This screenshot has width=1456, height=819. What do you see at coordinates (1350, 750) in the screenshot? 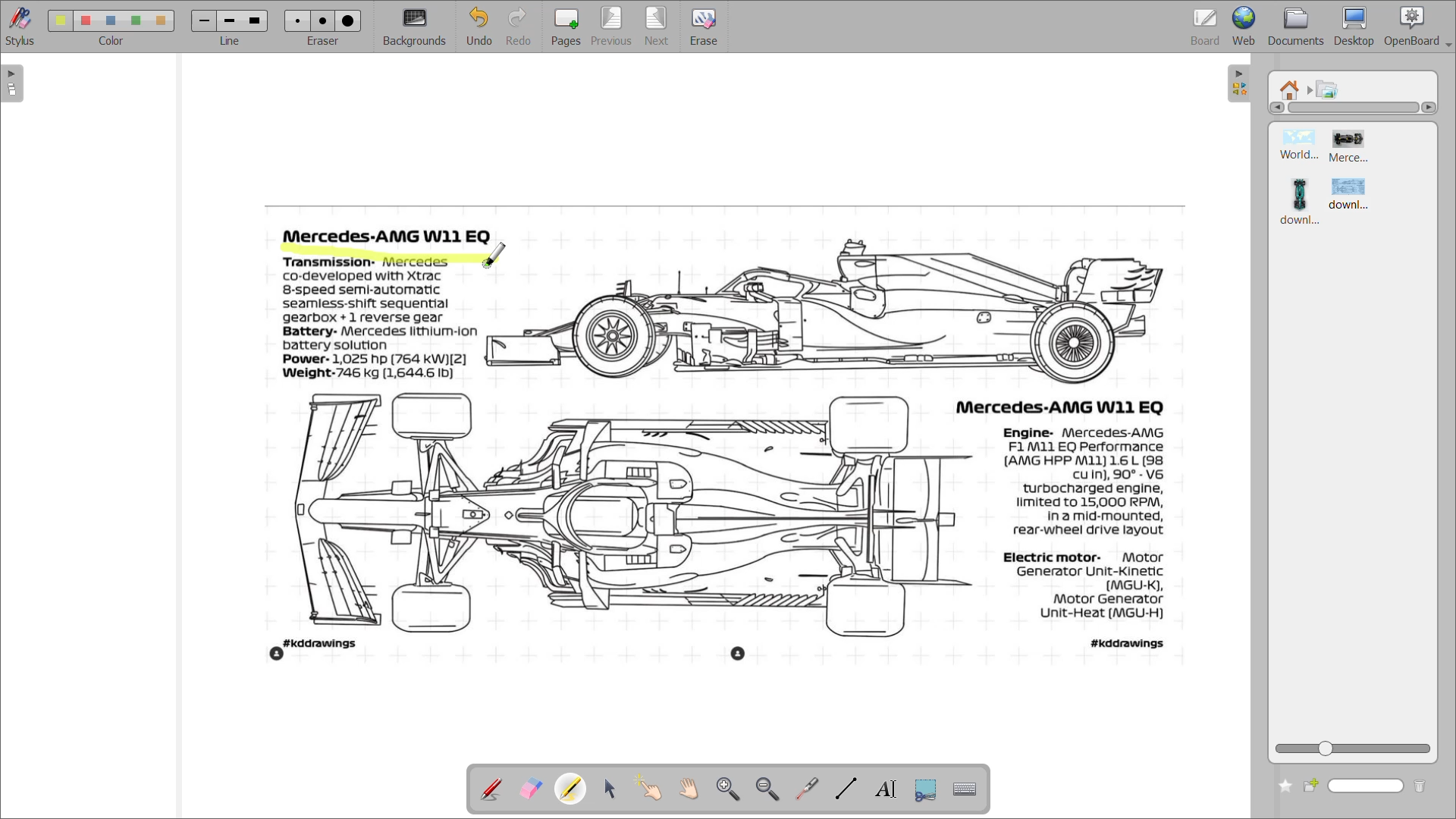
I see `zoom slider` at bounding box center [1350, 750].